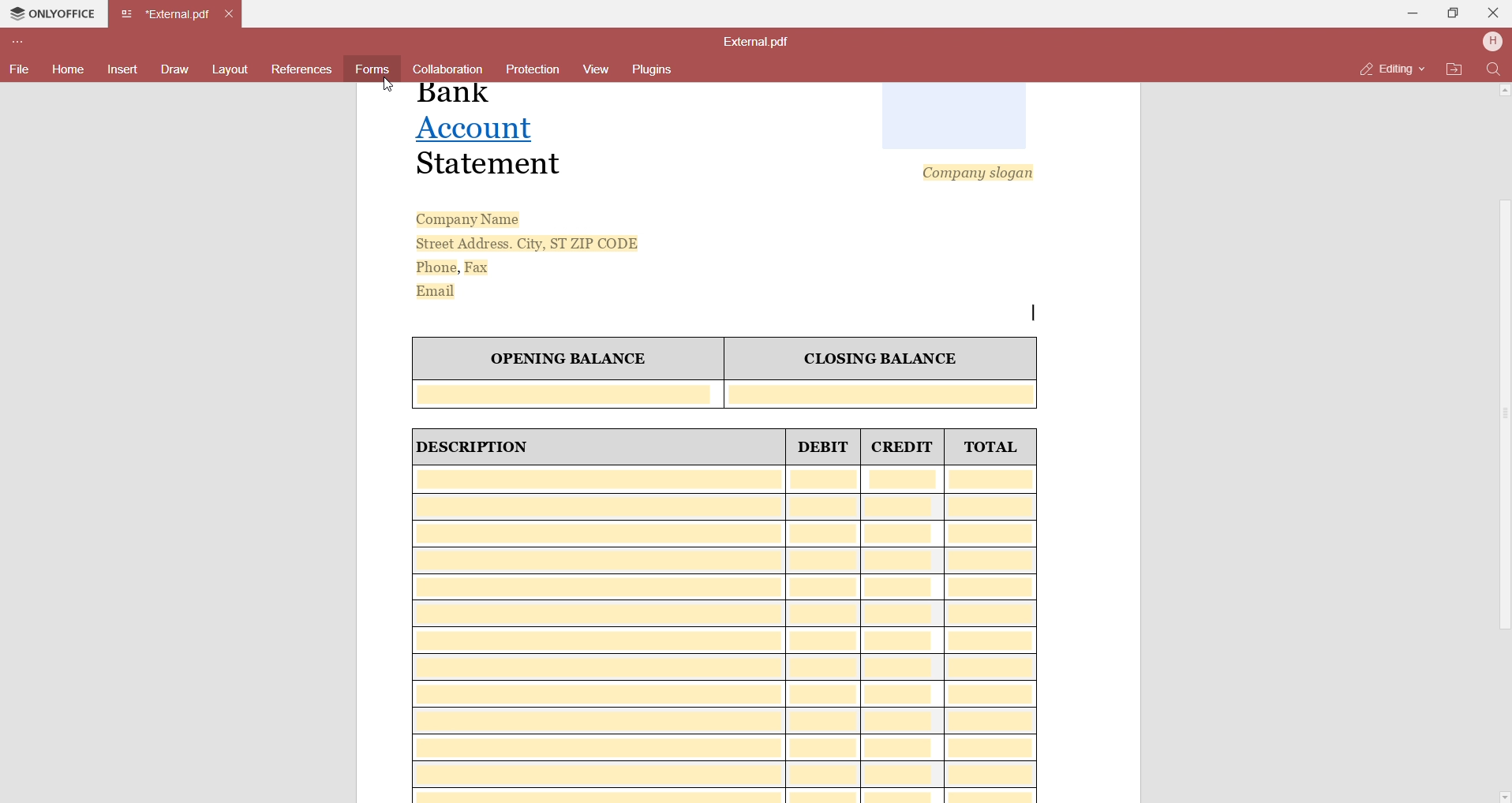 The width and height of the screenshot is (1512, 803). Describe the element at coordinates (1449, 13) in the screenshot. I see `Maximize` at that location.